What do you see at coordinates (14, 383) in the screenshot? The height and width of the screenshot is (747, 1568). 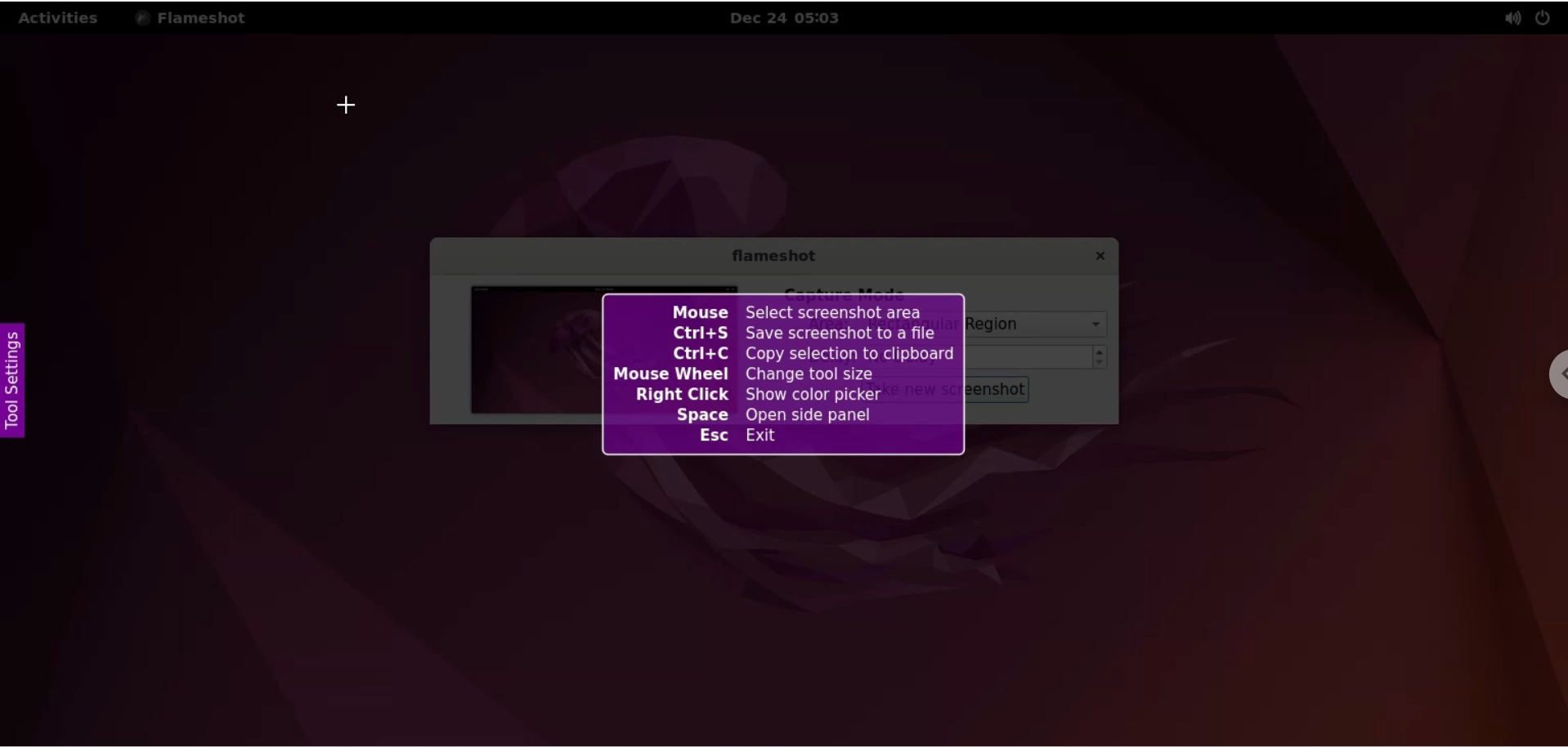 I see `tool settings` at bounding box center [14, 383].